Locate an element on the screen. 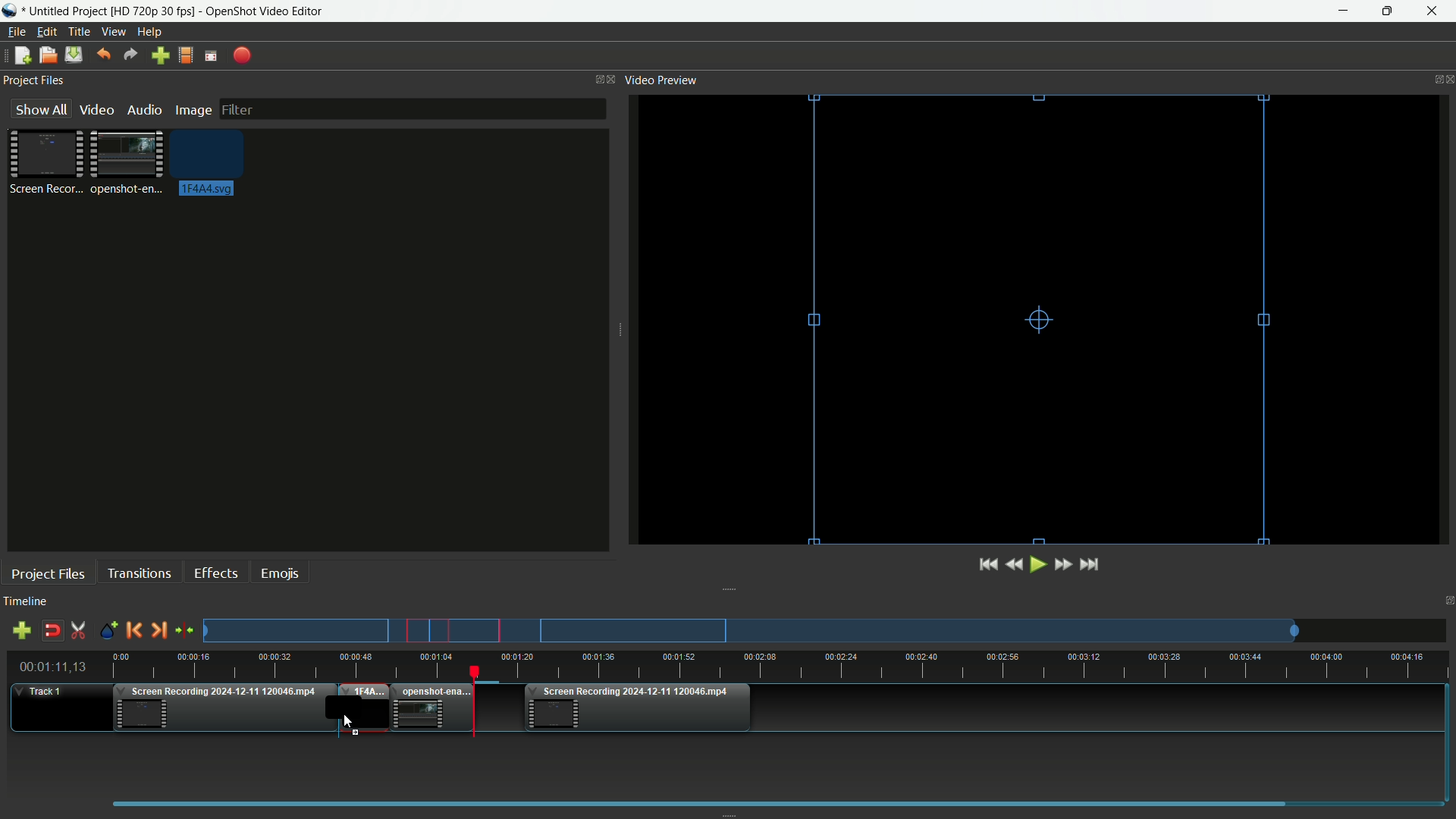  dragging placeholder to empty space in timeline is located at coordinates (361, 708).